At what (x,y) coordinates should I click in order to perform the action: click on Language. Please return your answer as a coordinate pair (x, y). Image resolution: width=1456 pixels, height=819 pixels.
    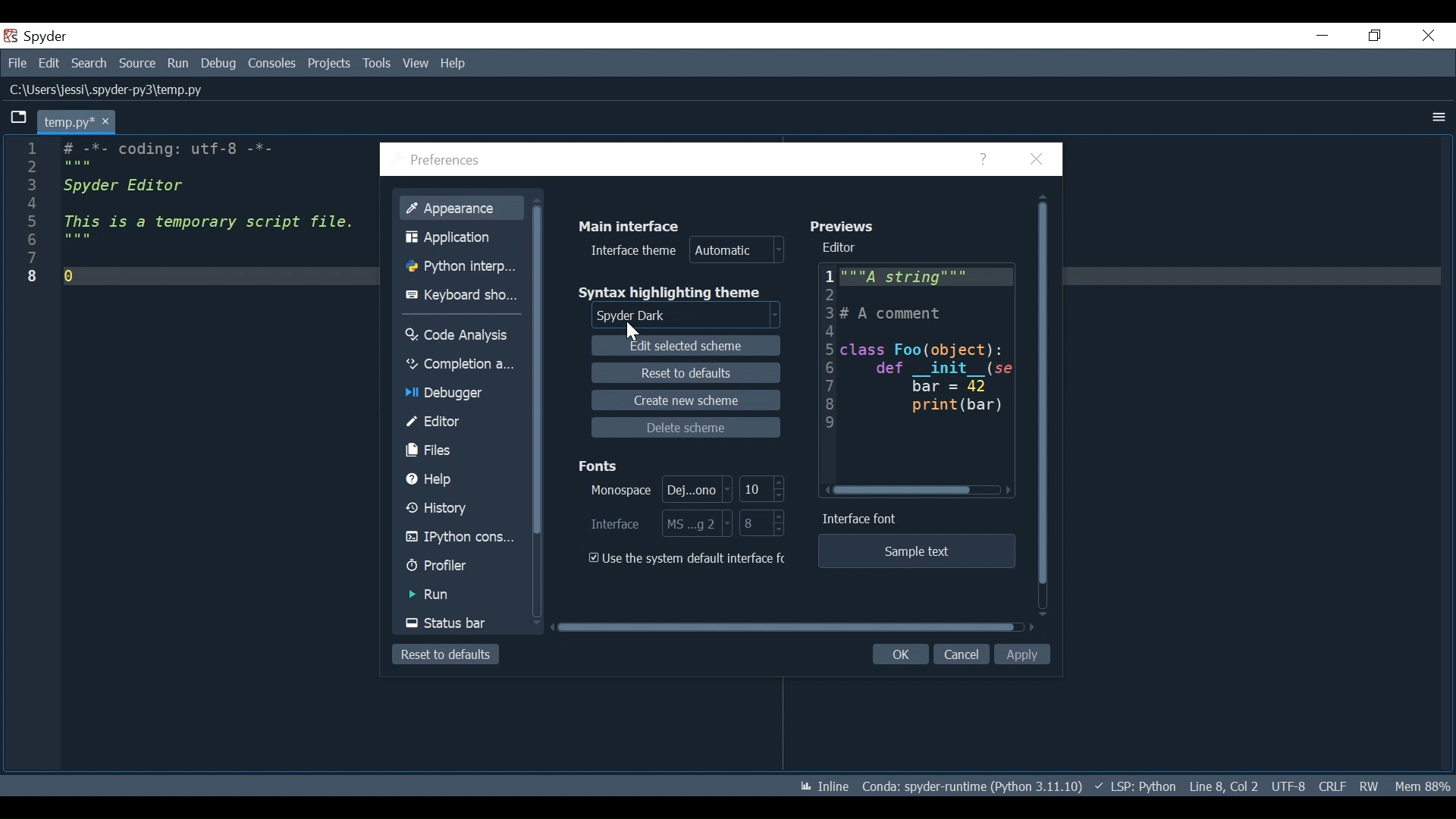
    Looking at the image, I should click on (1135, 785).